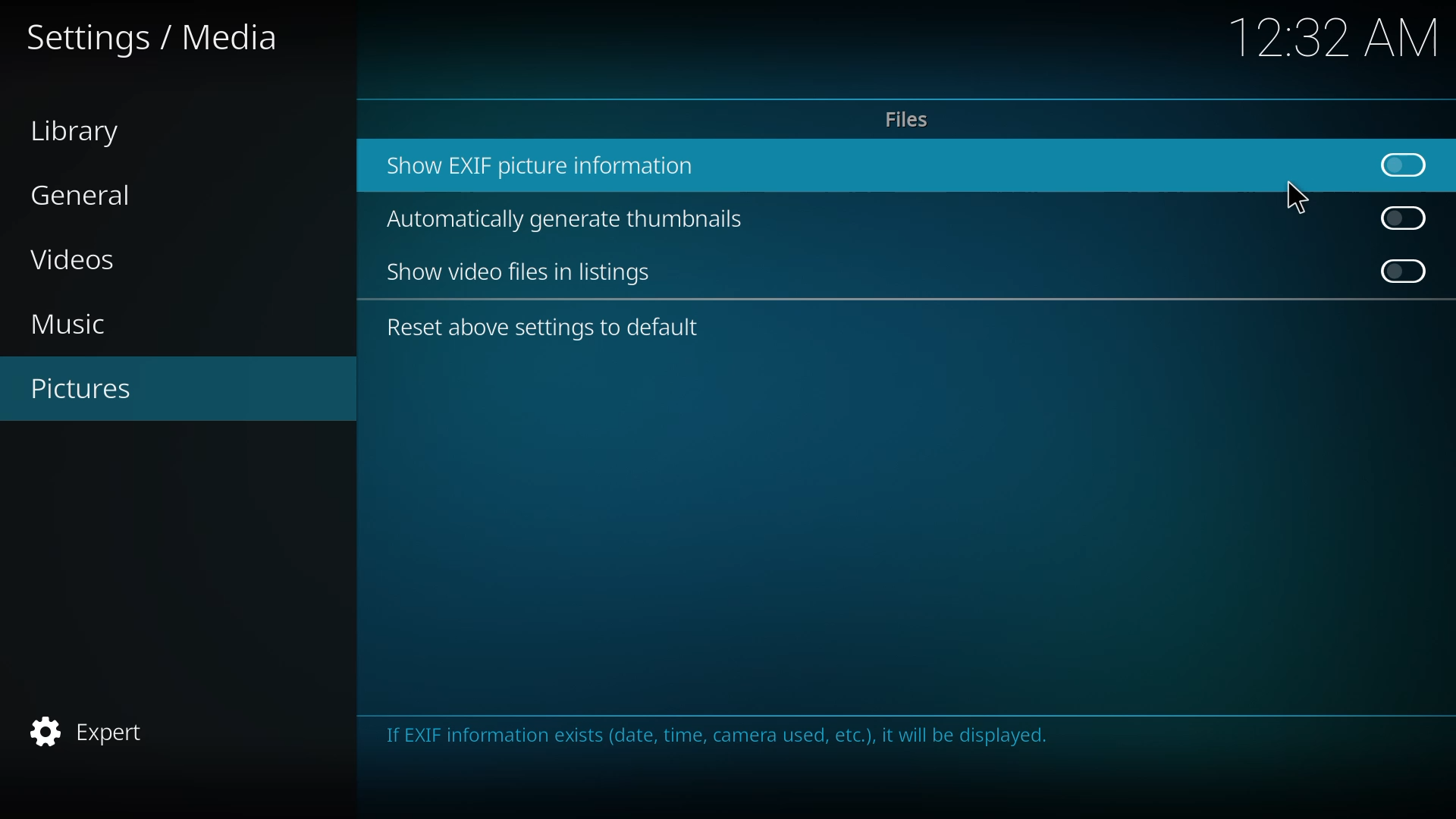  Describe the element at coordinates (719, 734) in the screenshot. I see `info` at that location.